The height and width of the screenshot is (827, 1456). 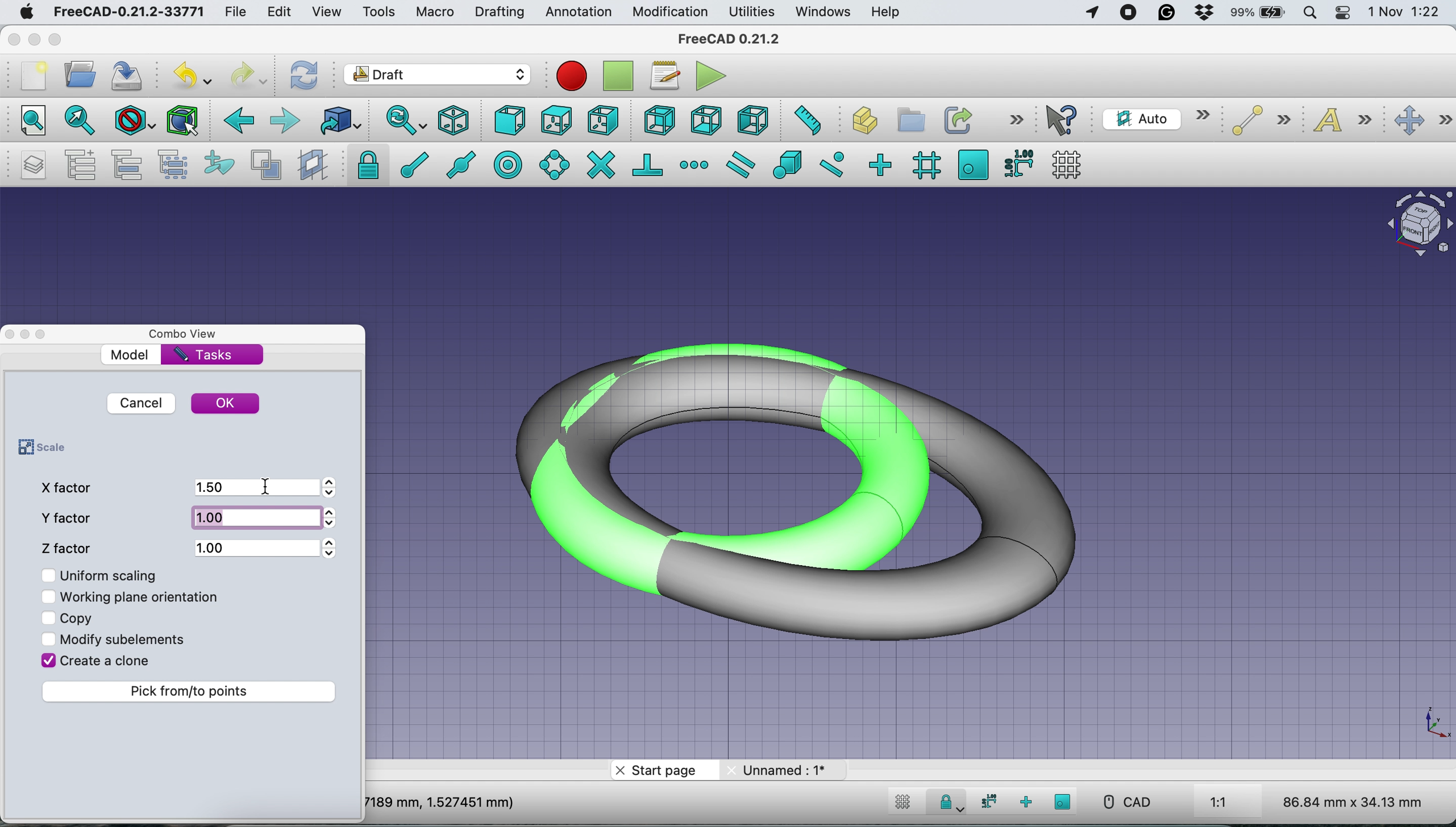 I want to click on line, so click(x=1257, y=121).